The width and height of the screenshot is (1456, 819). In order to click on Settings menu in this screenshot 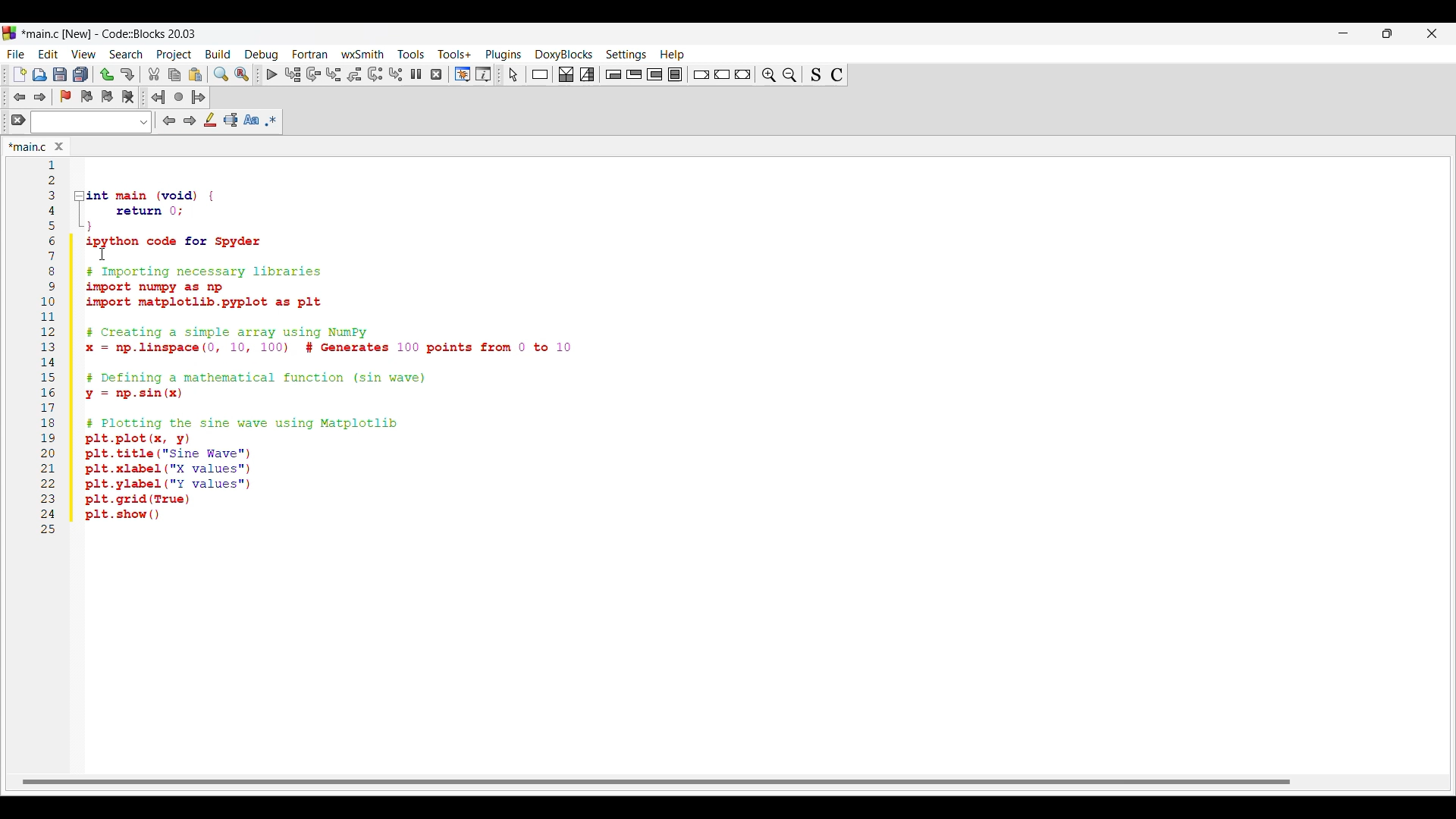, I will do `click(626, 55)`.